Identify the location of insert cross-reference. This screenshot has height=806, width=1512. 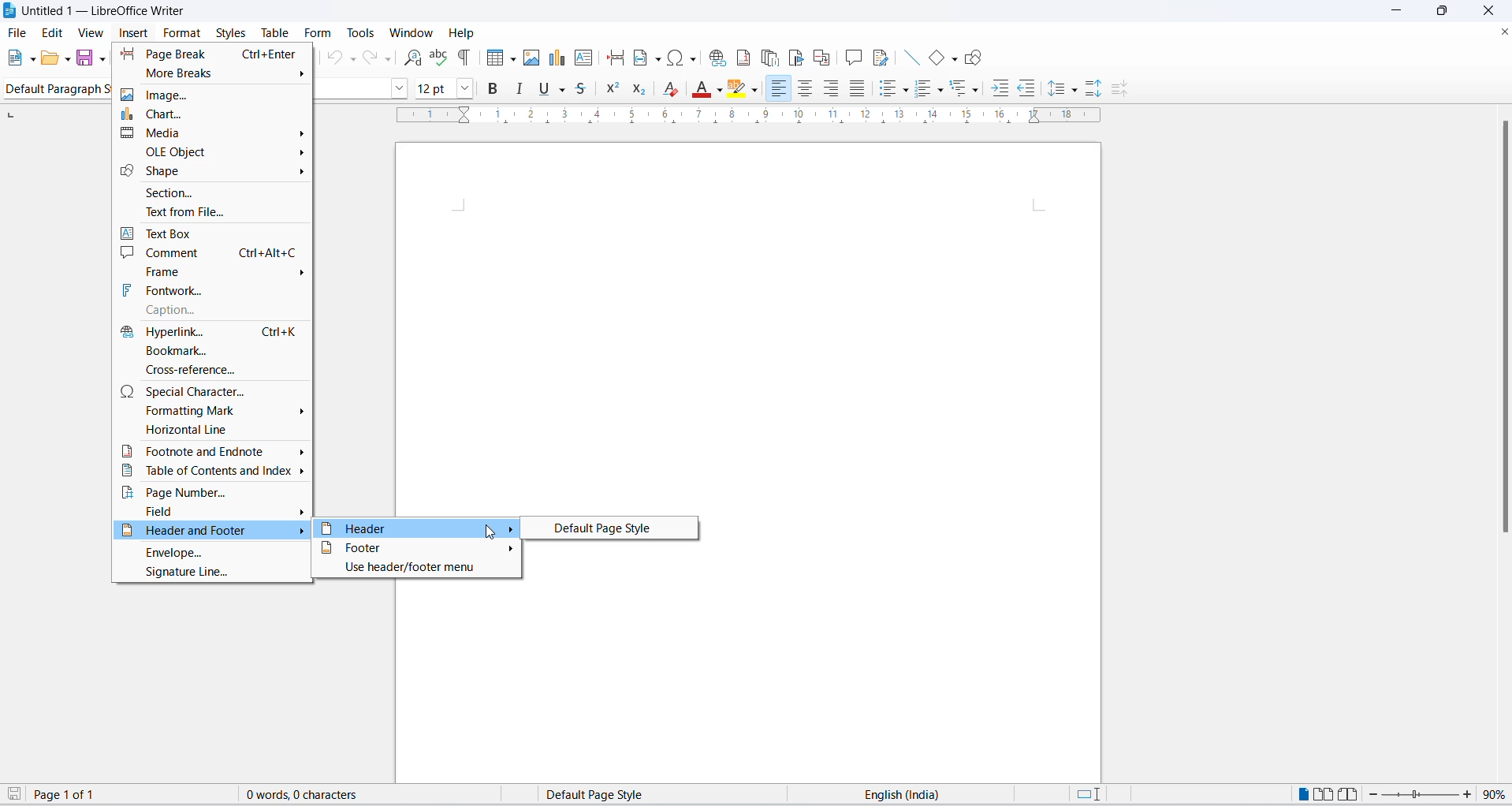
(823, 54).